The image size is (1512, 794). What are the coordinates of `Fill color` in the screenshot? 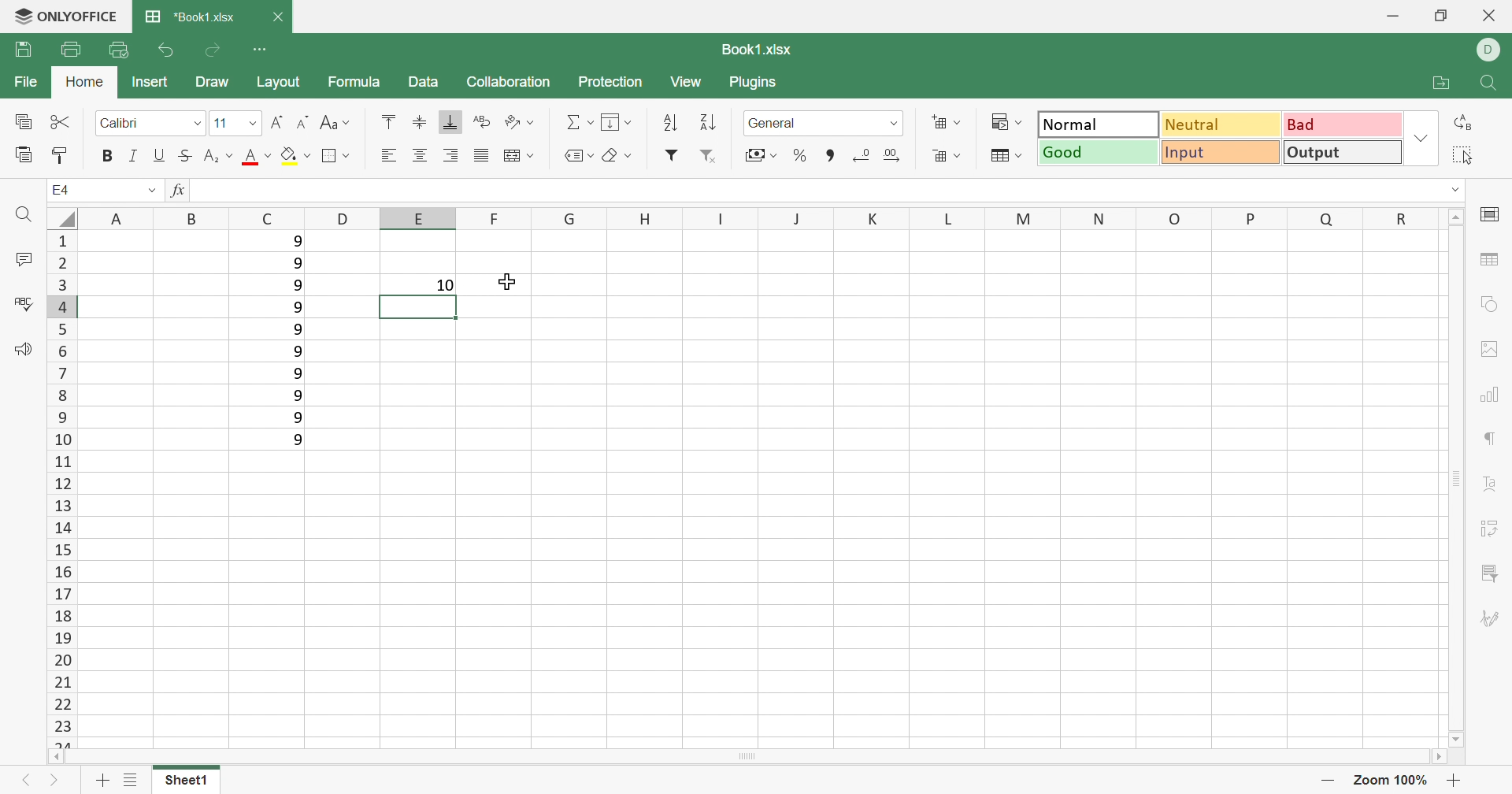 It's located at (295, 155).